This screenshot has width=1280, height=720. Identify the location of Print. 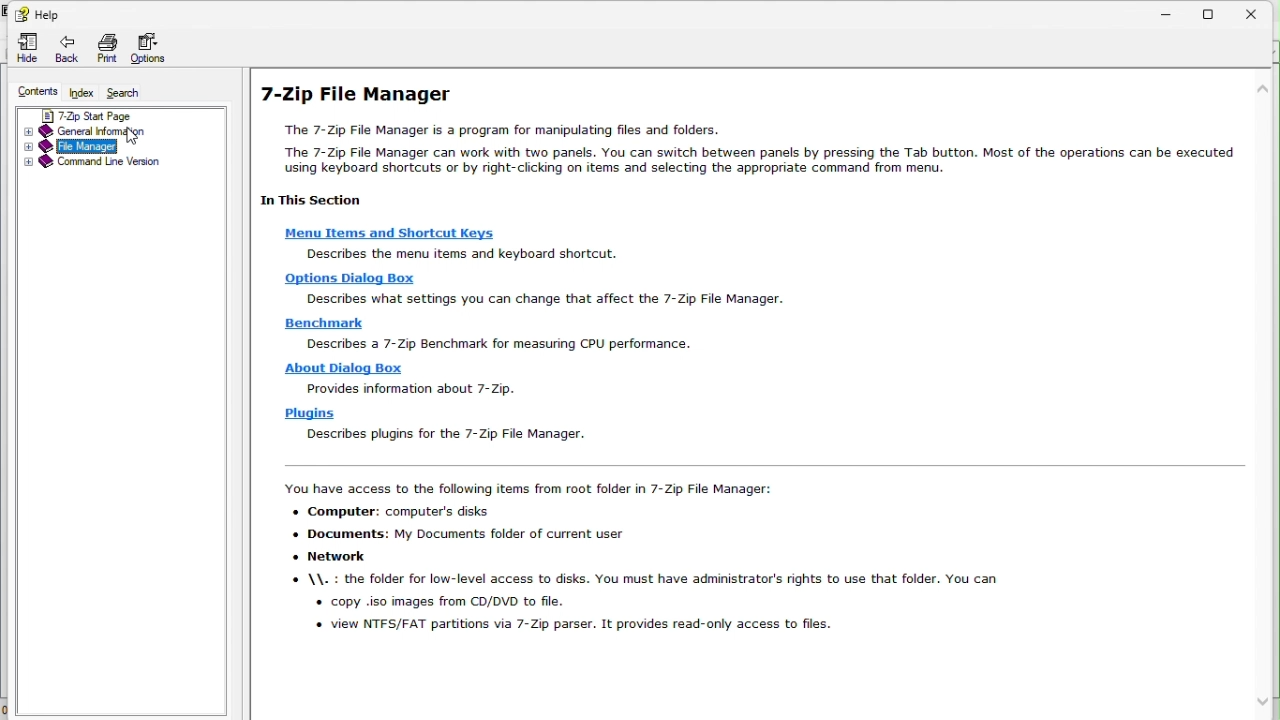
(105, 48).